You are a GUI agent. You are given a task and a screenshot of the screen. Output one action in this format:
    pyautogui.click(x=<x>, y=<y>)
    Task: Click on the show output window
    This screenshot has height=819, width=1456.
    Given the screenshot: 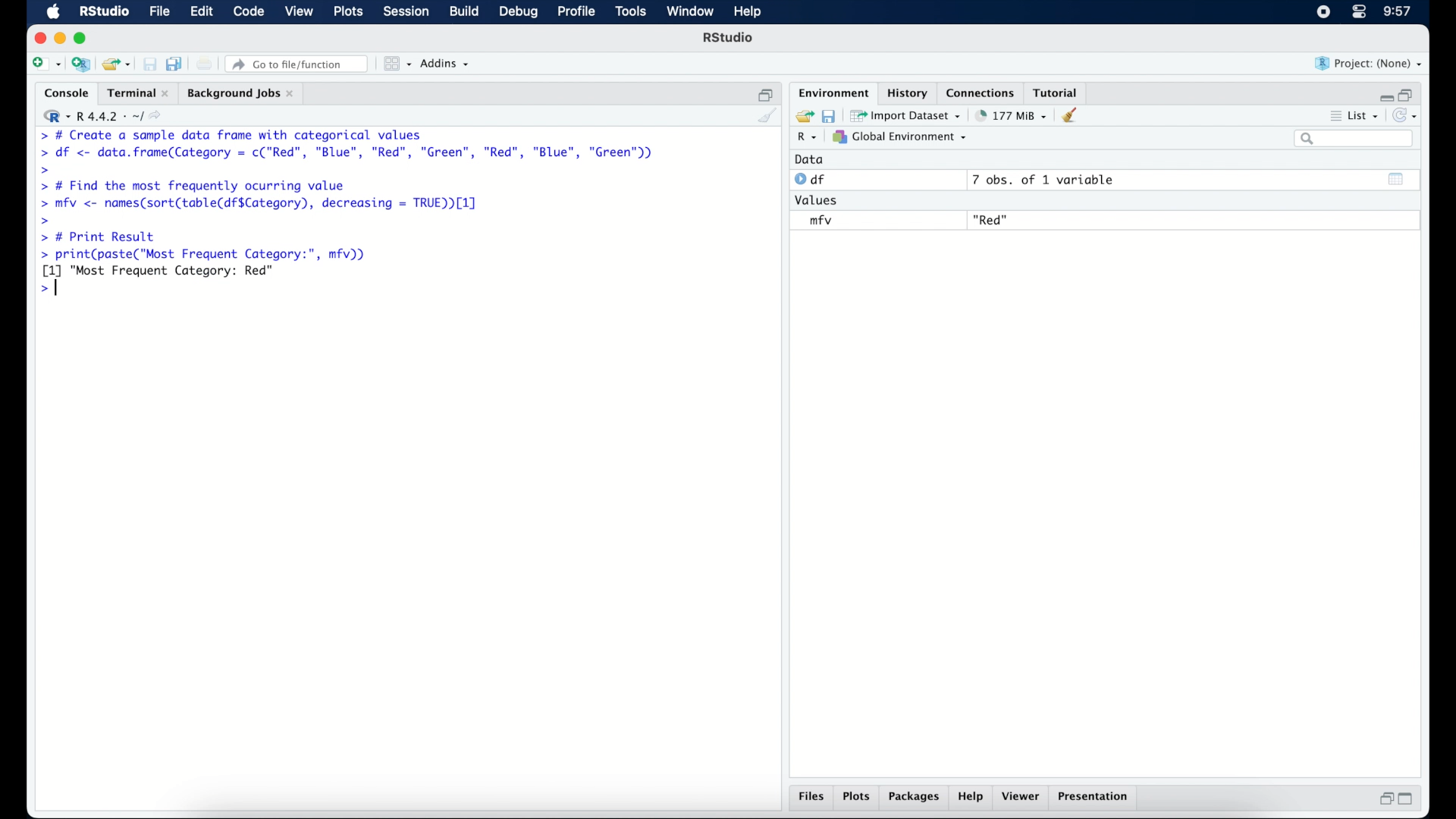 What is the action you would take?
    pyautogui.click(x=1398, y=181)
    